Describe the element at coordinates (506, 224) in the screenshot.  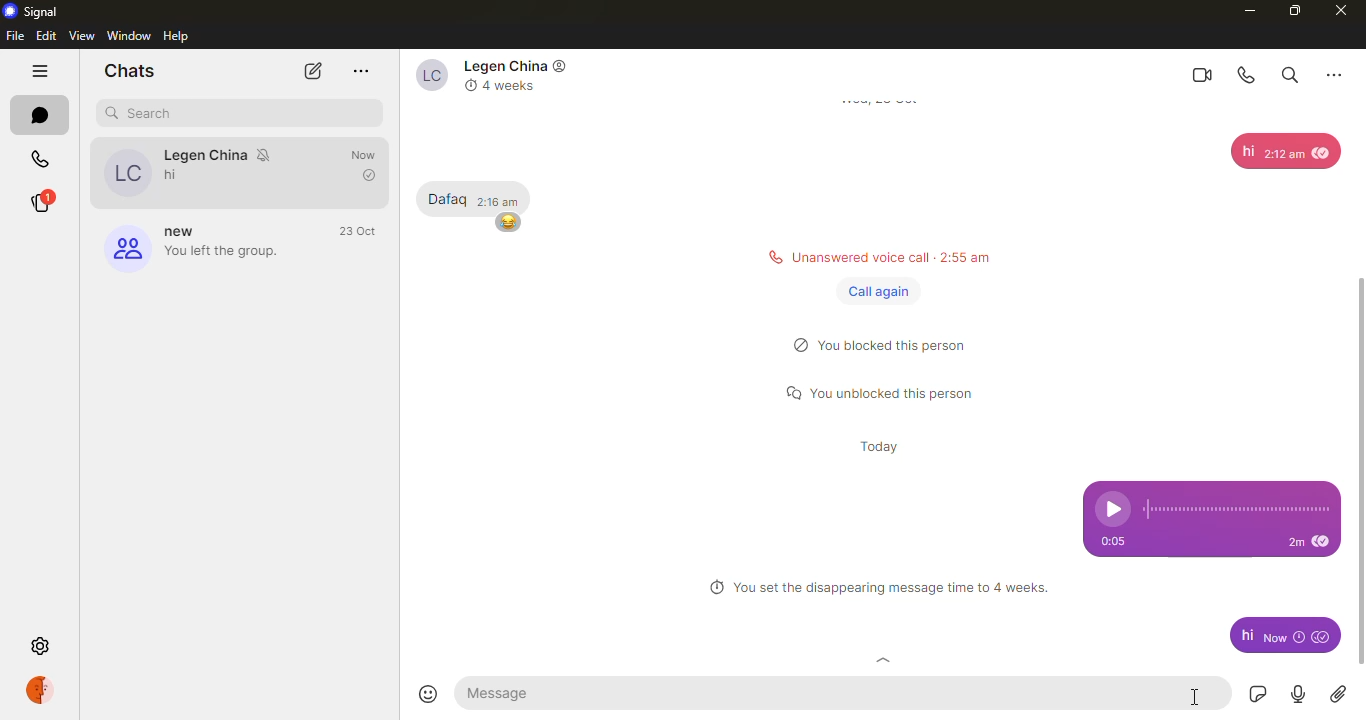
I see `happy emoji` at that location.